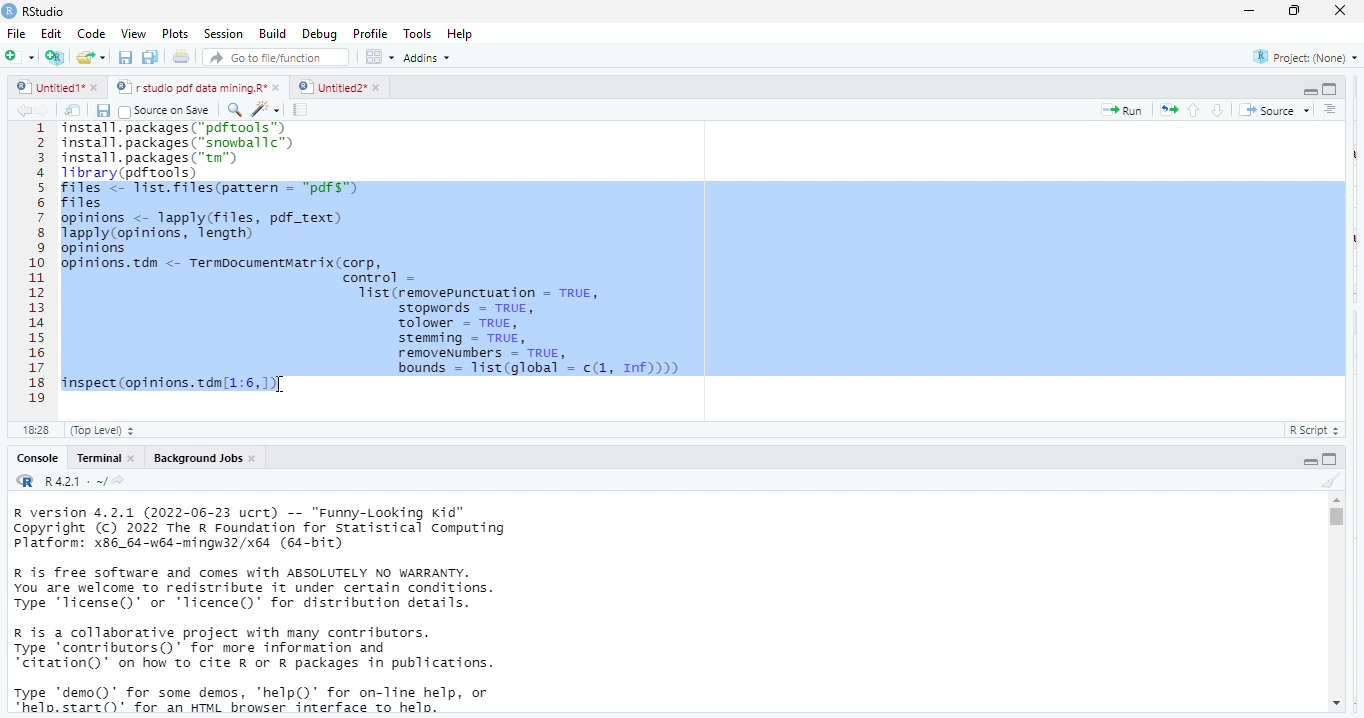  I want to click on show document outline, so click(1332, 110).